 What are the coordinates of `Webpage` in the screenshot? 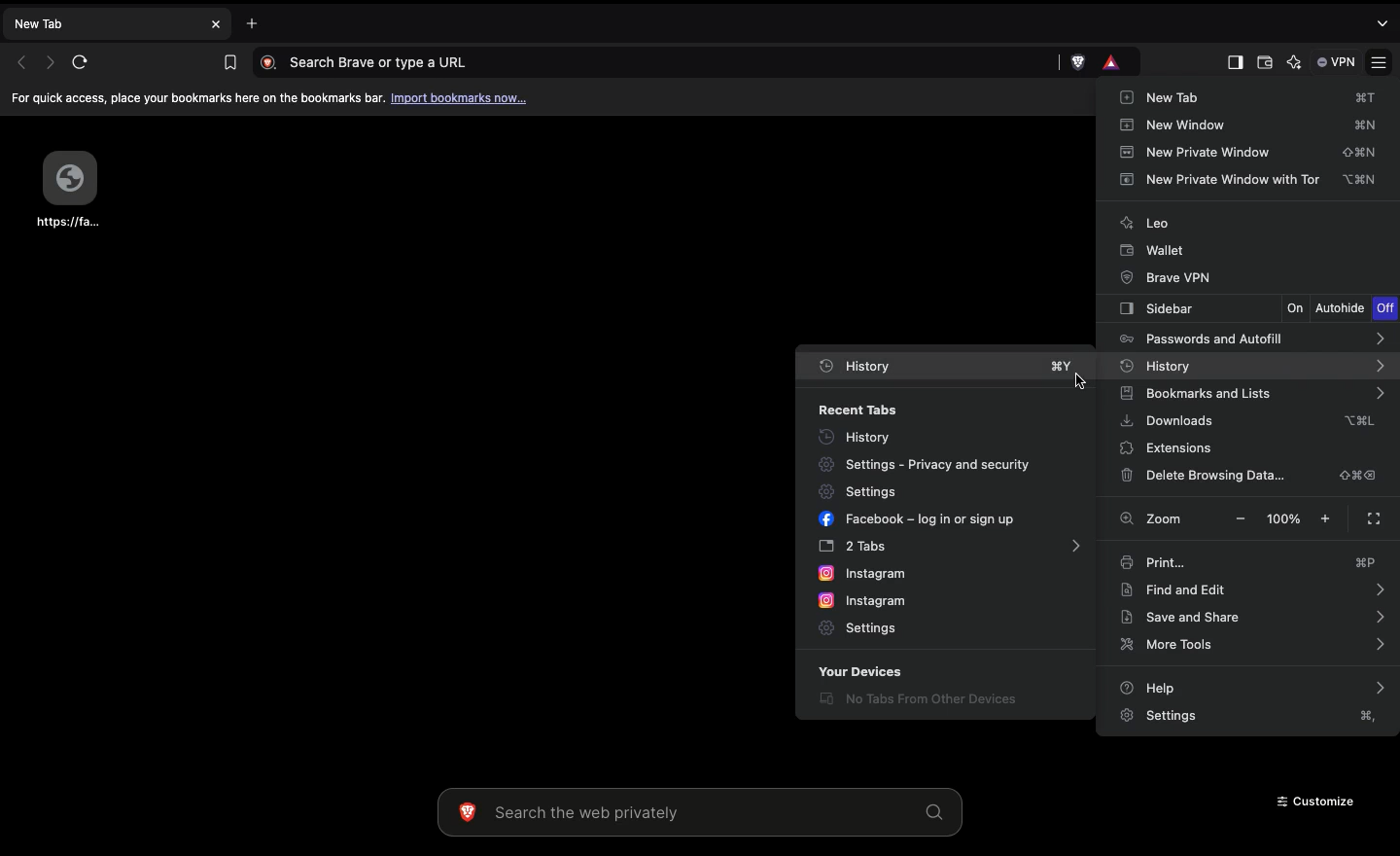 It's located at (67, 188).